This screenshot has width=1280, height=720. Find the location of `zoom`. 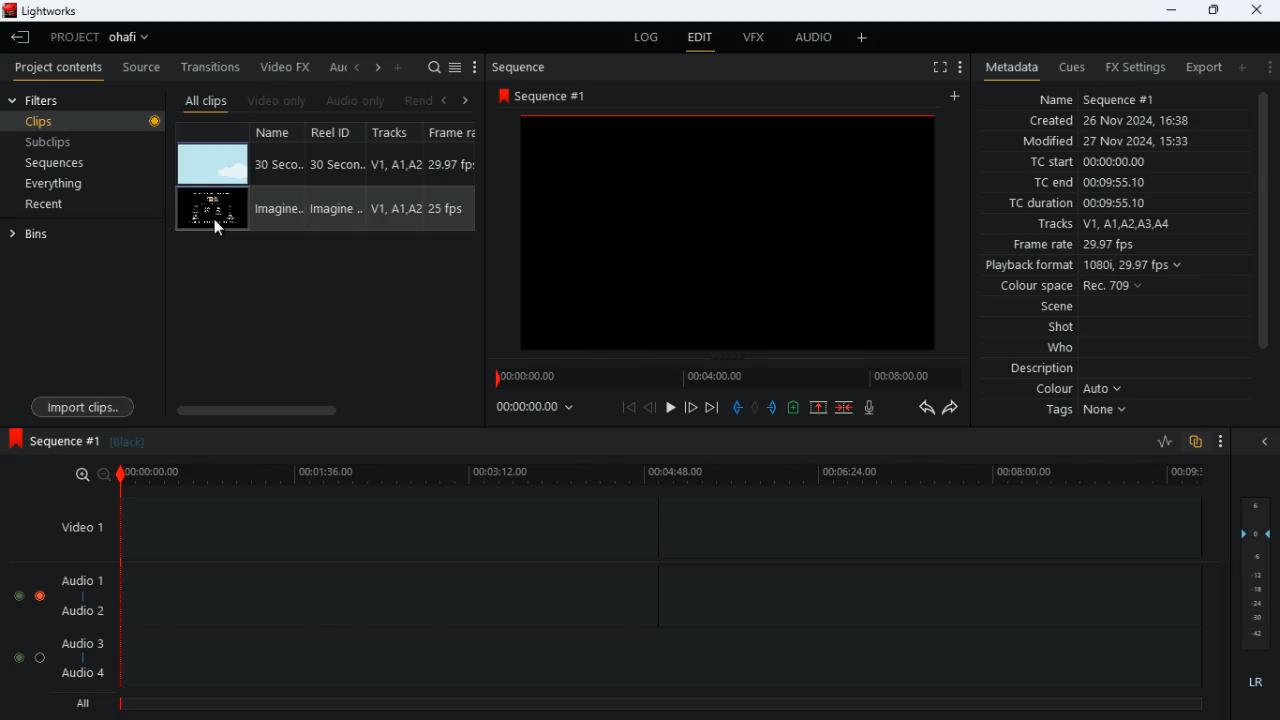

zoom is located at coordinates (92, 474).